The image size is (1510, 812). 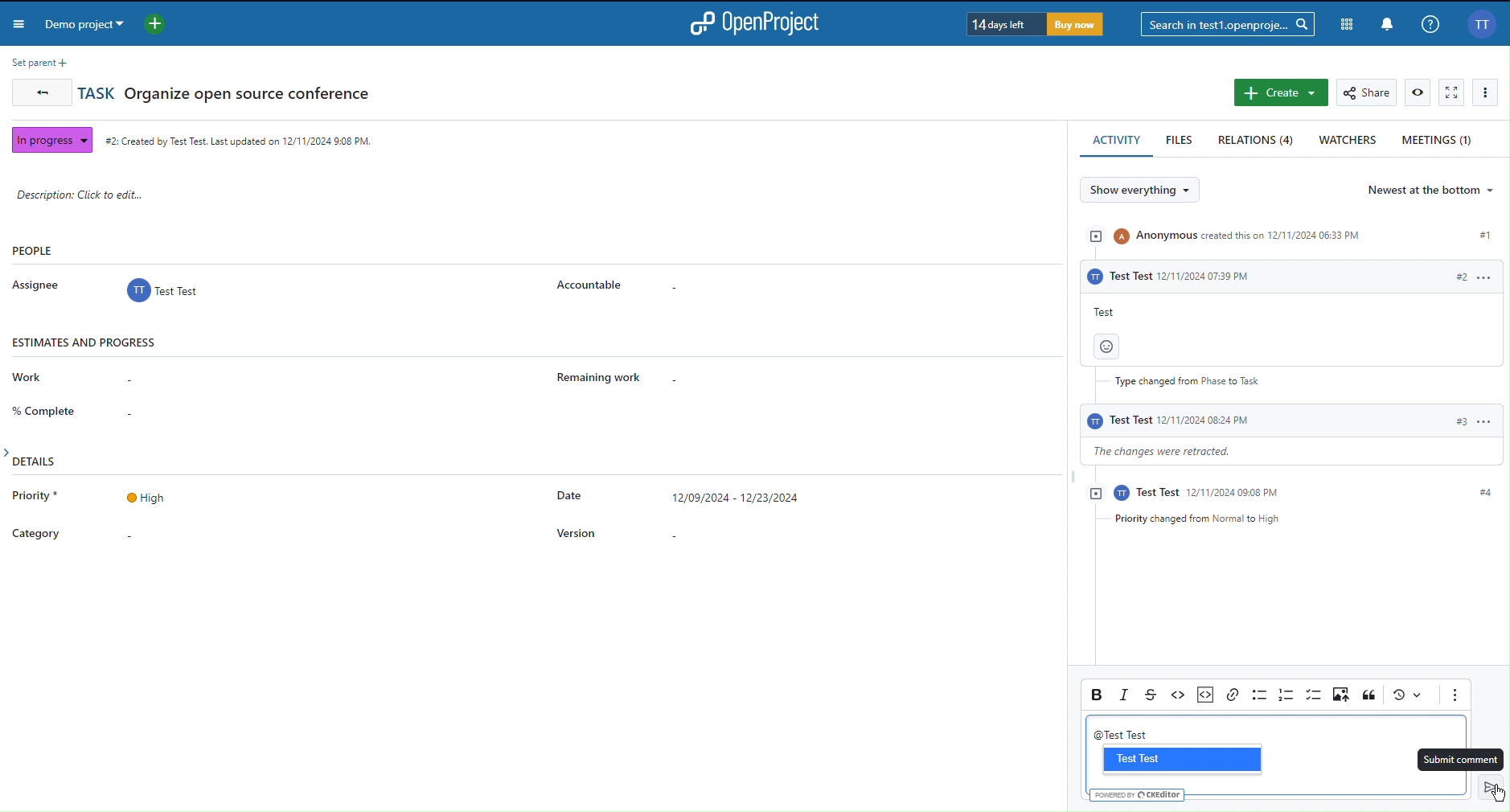 What do you see at coordinates (1032, 24) in the screenshot?
I see `Trial Timer` at bounding box center [1032, 24].